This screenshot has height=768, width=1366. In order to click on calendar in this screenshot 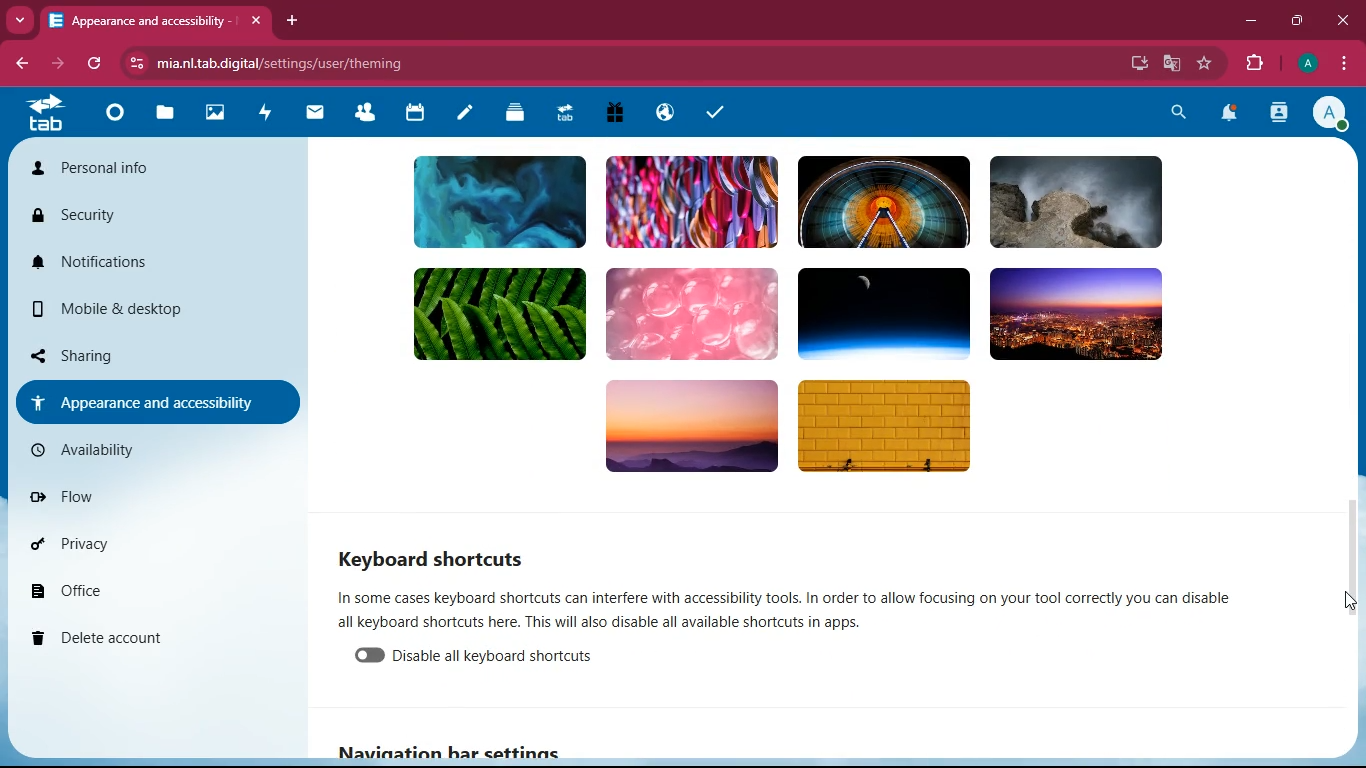, I will do `click(416, 115)`.